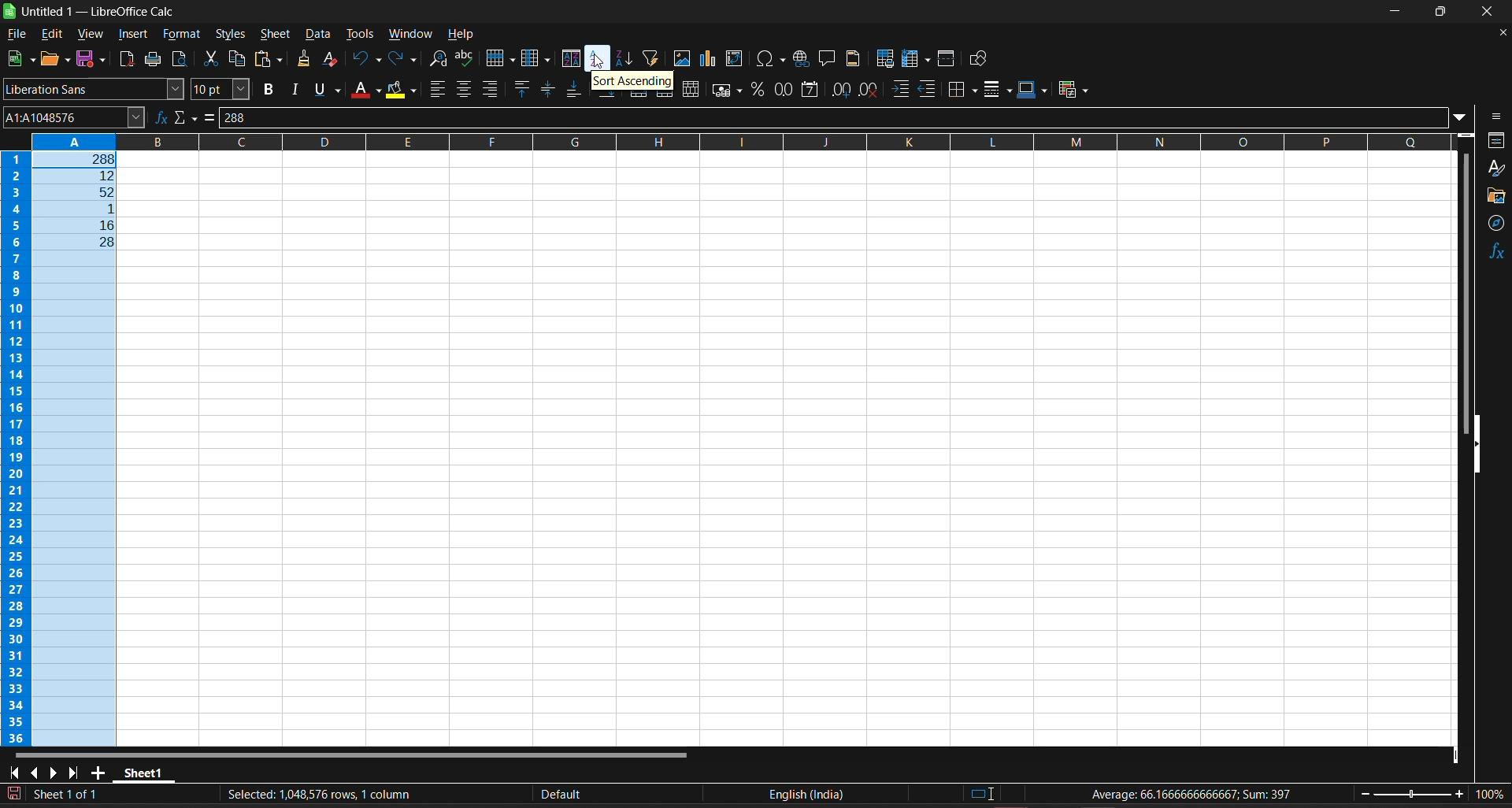 The image size is (1512, 808). I want to click on align left, so click(436, 88).